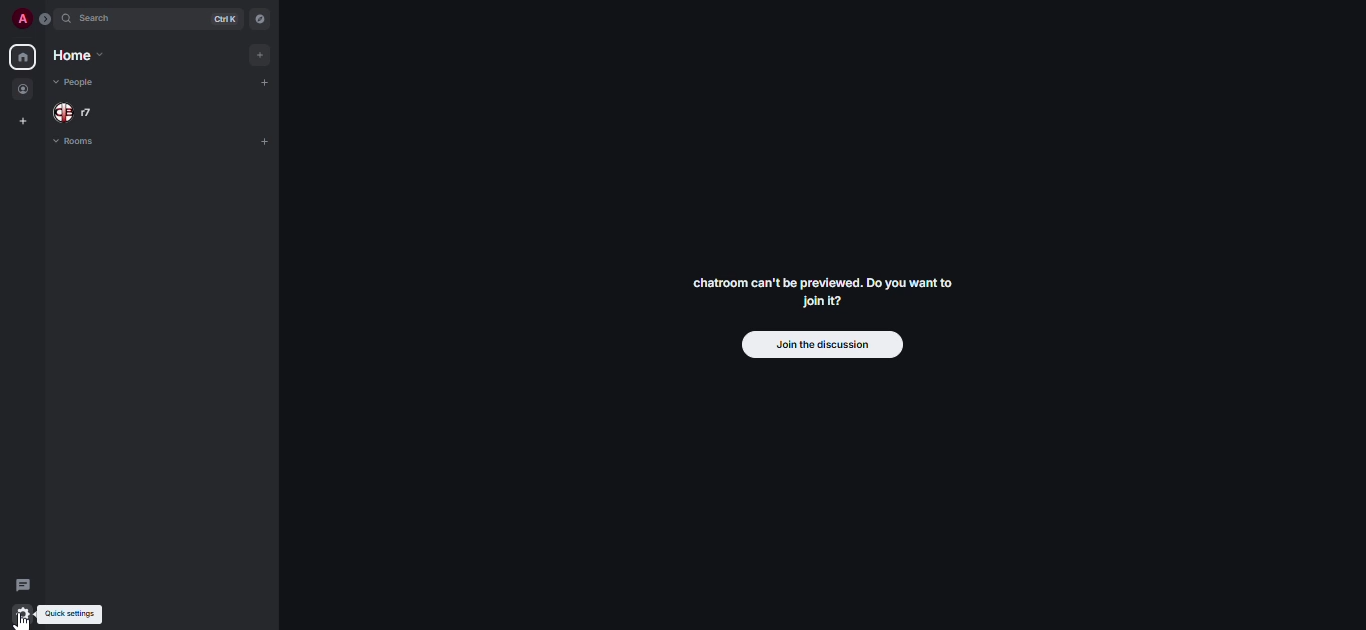 The image size is (1366, 630). Describe the element at coordinates (76, 143) in the screenshot. I see `rooms` at that location.